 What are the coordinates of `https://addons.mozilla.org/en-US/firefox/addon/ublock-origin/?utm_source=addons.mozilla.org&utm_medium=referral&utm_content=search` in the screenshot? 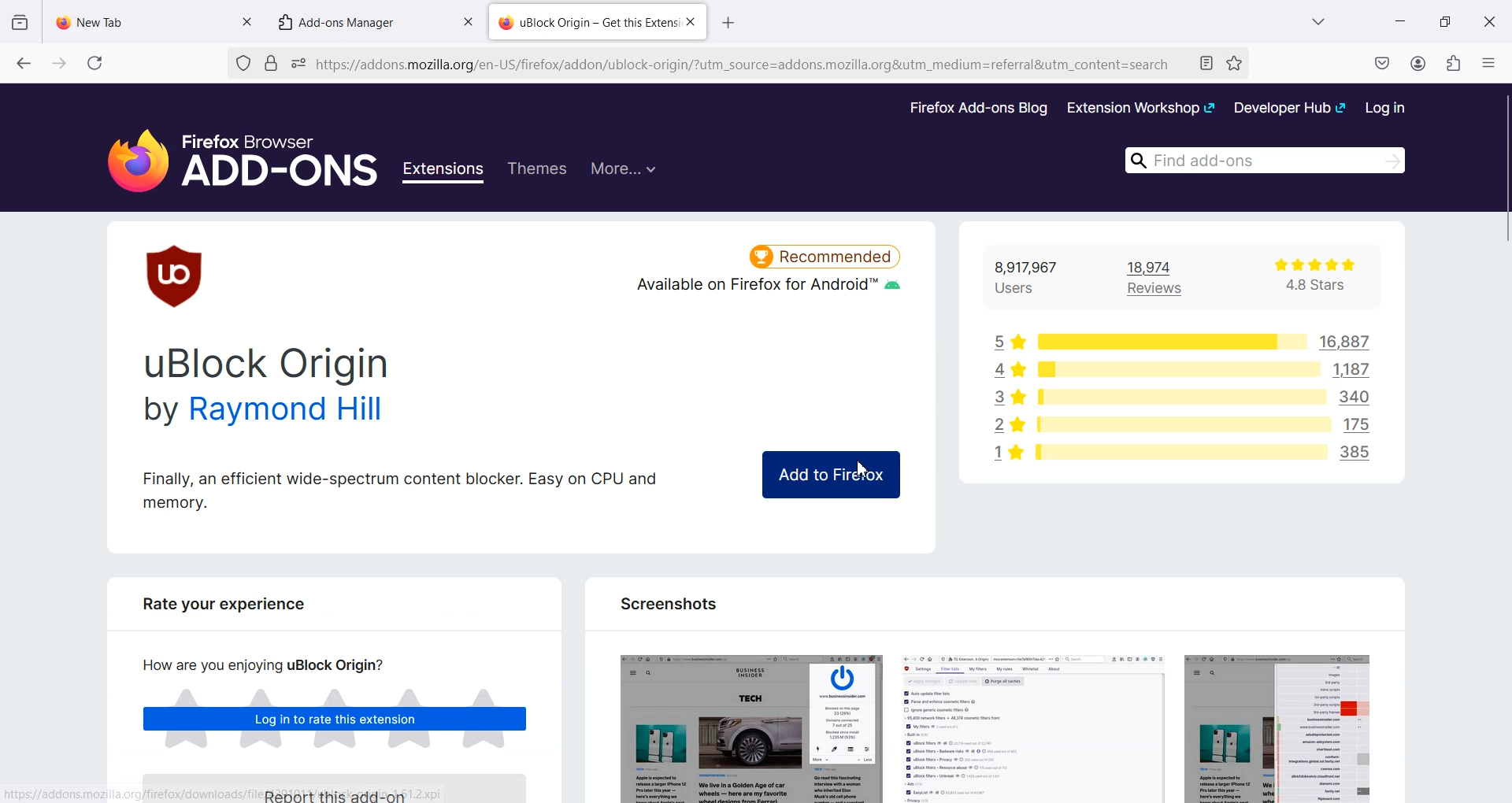 It's located at (745, 67).